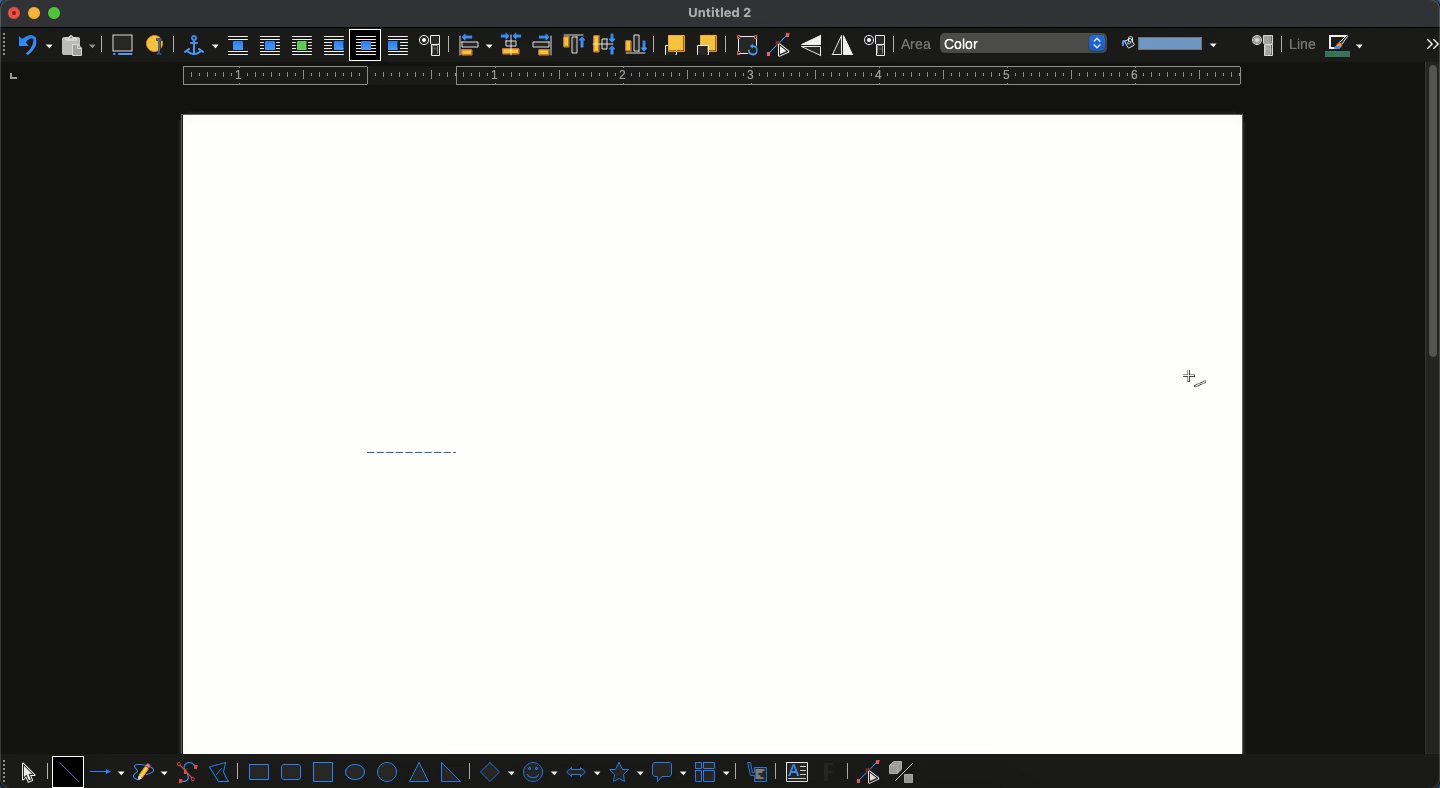 This screenshot has height=788, width=1440. Describe the element at coordinates (714, 614) in the screenshot. I see `page` at that location.